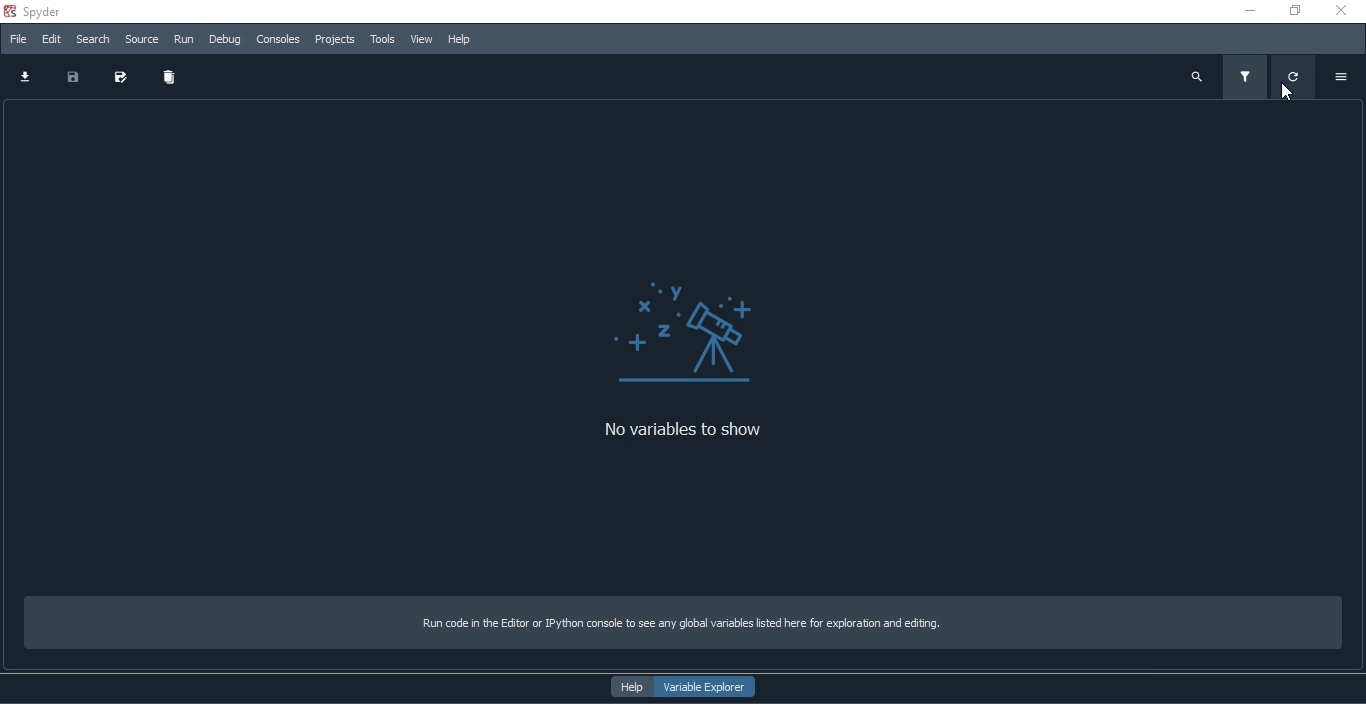 The image size is (1366, 704). What do you see at coordinates (1347, 79) in the screenshot?
I see `options` at bounding box center [1347, 79].